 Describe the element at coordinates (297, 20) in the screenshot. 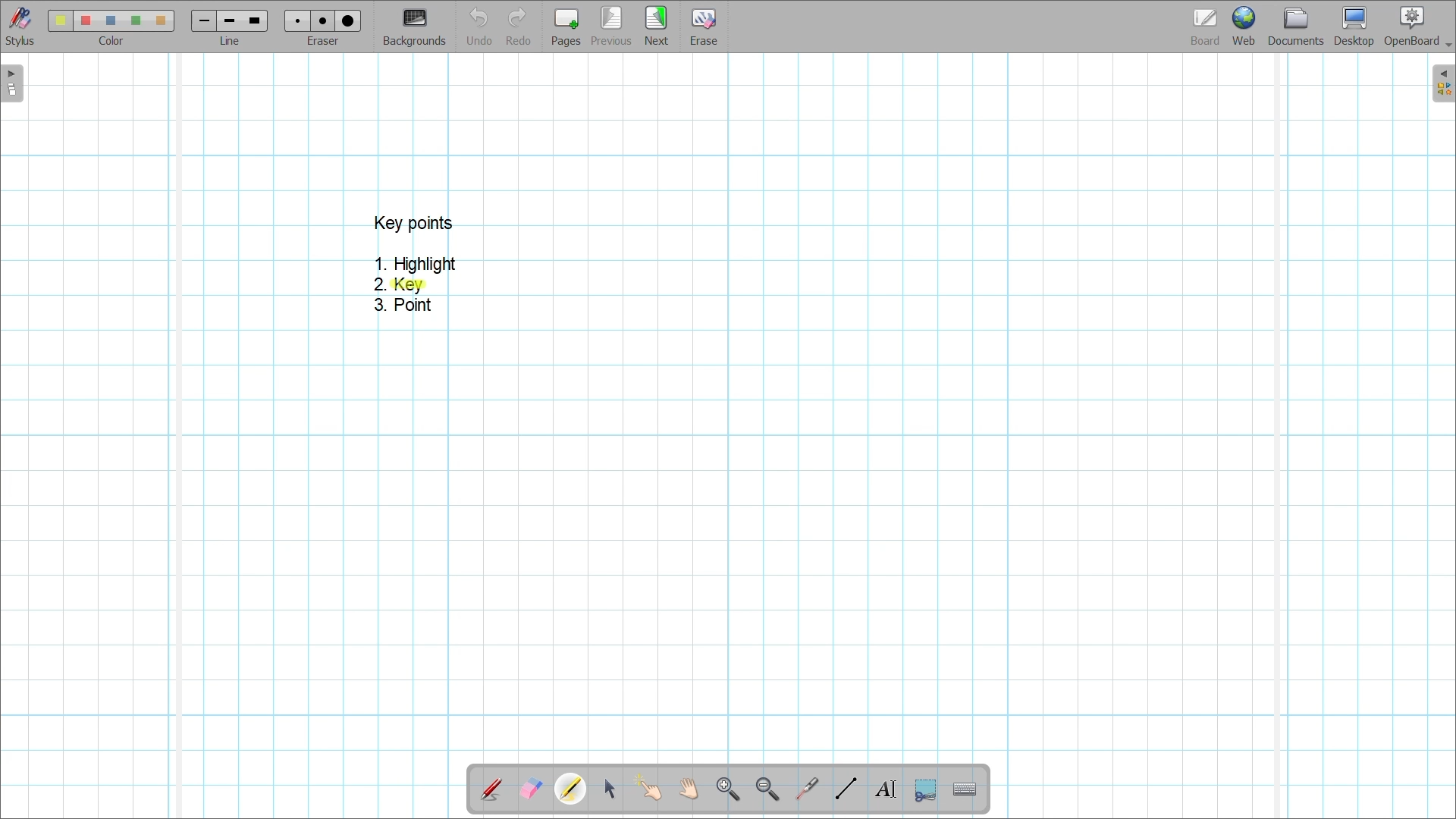

I see `Eraser 1` at that location.